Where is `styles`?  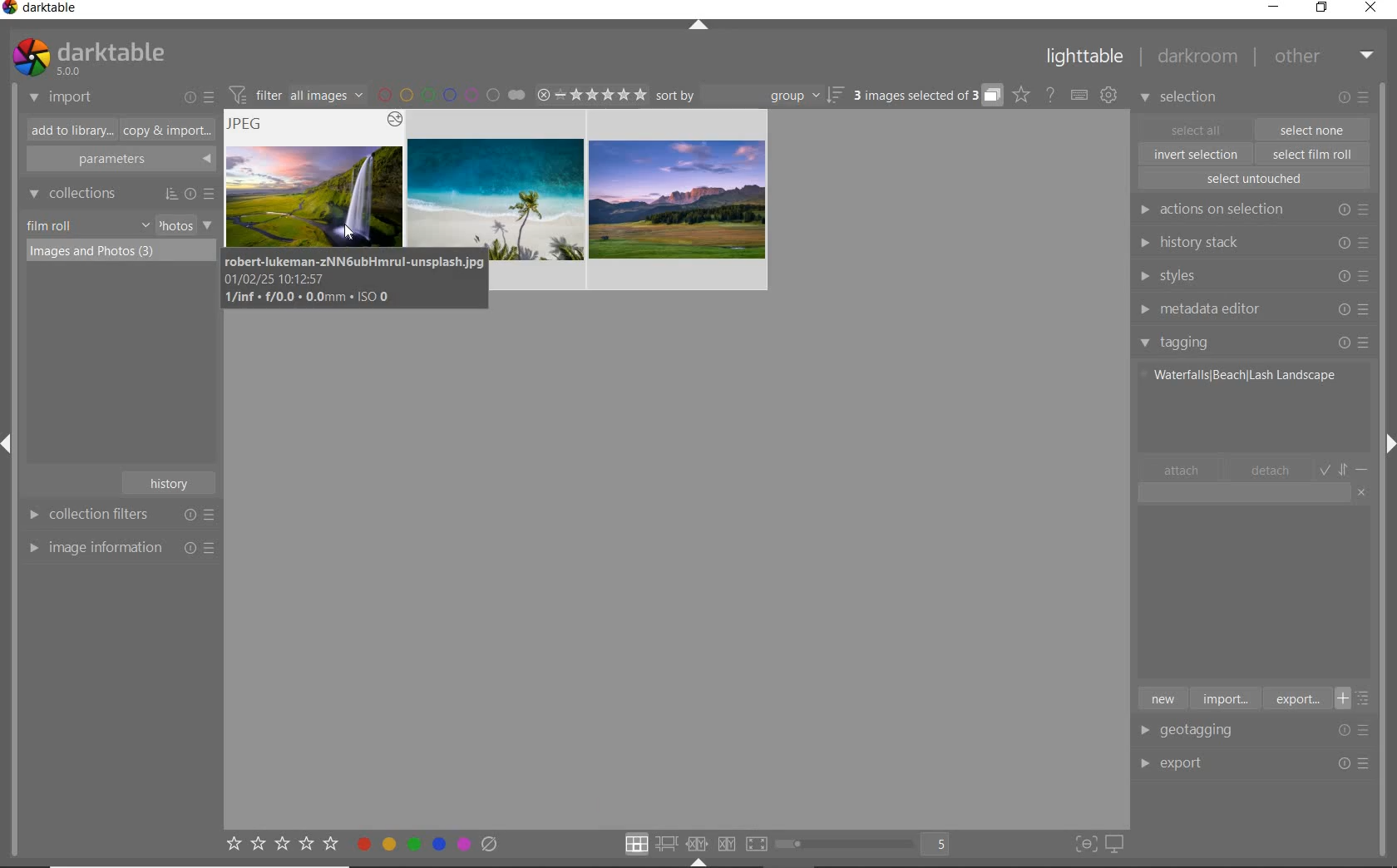
styles is located at coordinates (1252, 277).